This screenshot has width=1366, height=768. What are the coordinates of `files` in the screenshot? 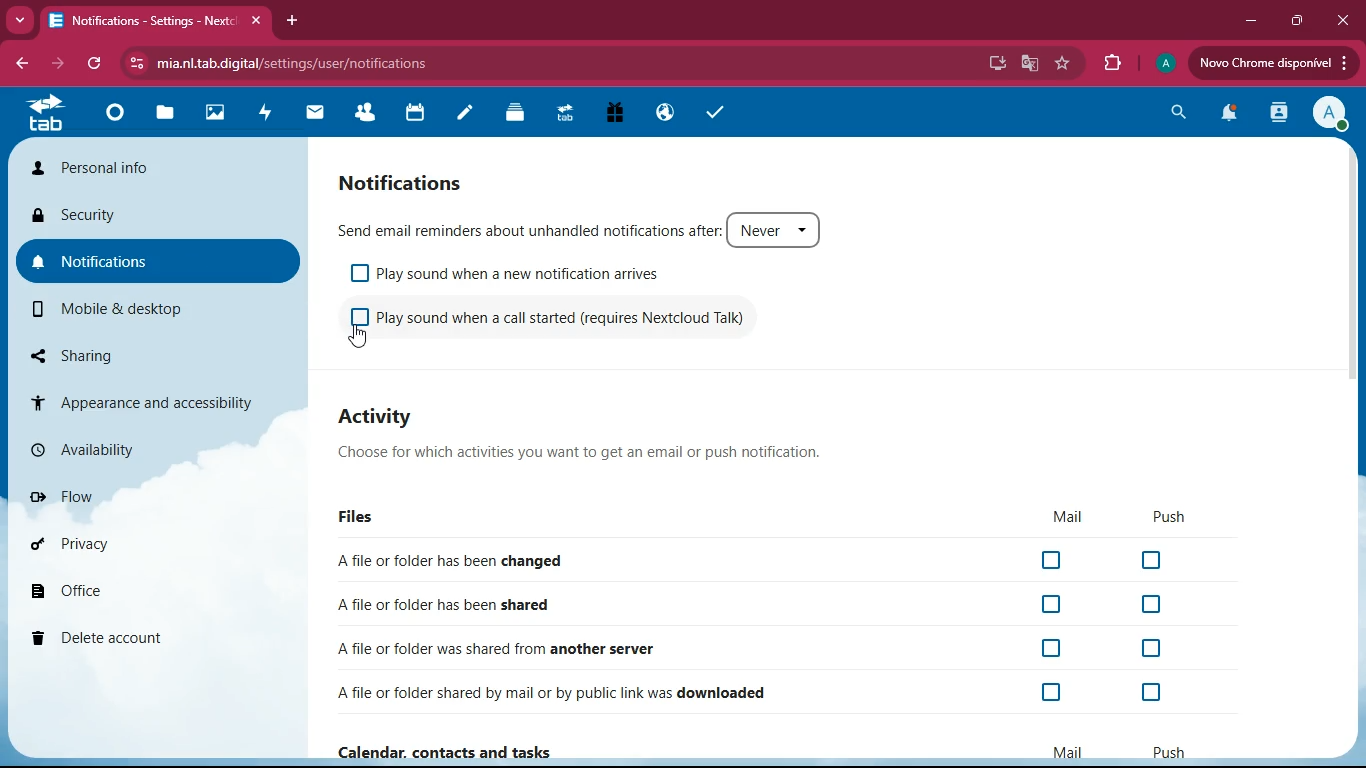 It's located at (169, 112).